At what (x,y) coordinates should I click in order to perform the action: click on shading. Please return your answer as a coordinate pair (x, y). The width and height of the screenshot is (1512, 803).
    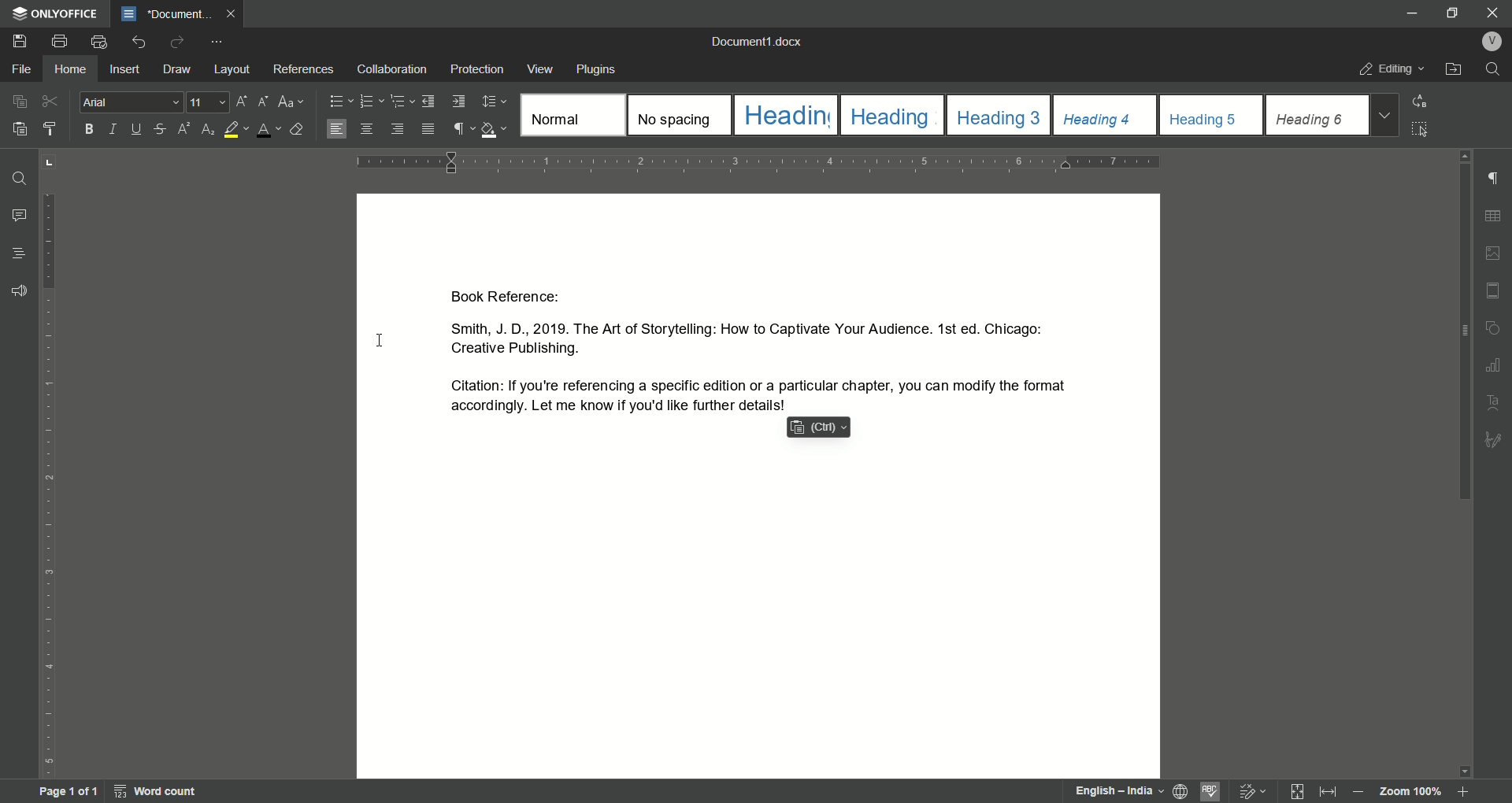
    Looking at the image, I should click on (495, 128).